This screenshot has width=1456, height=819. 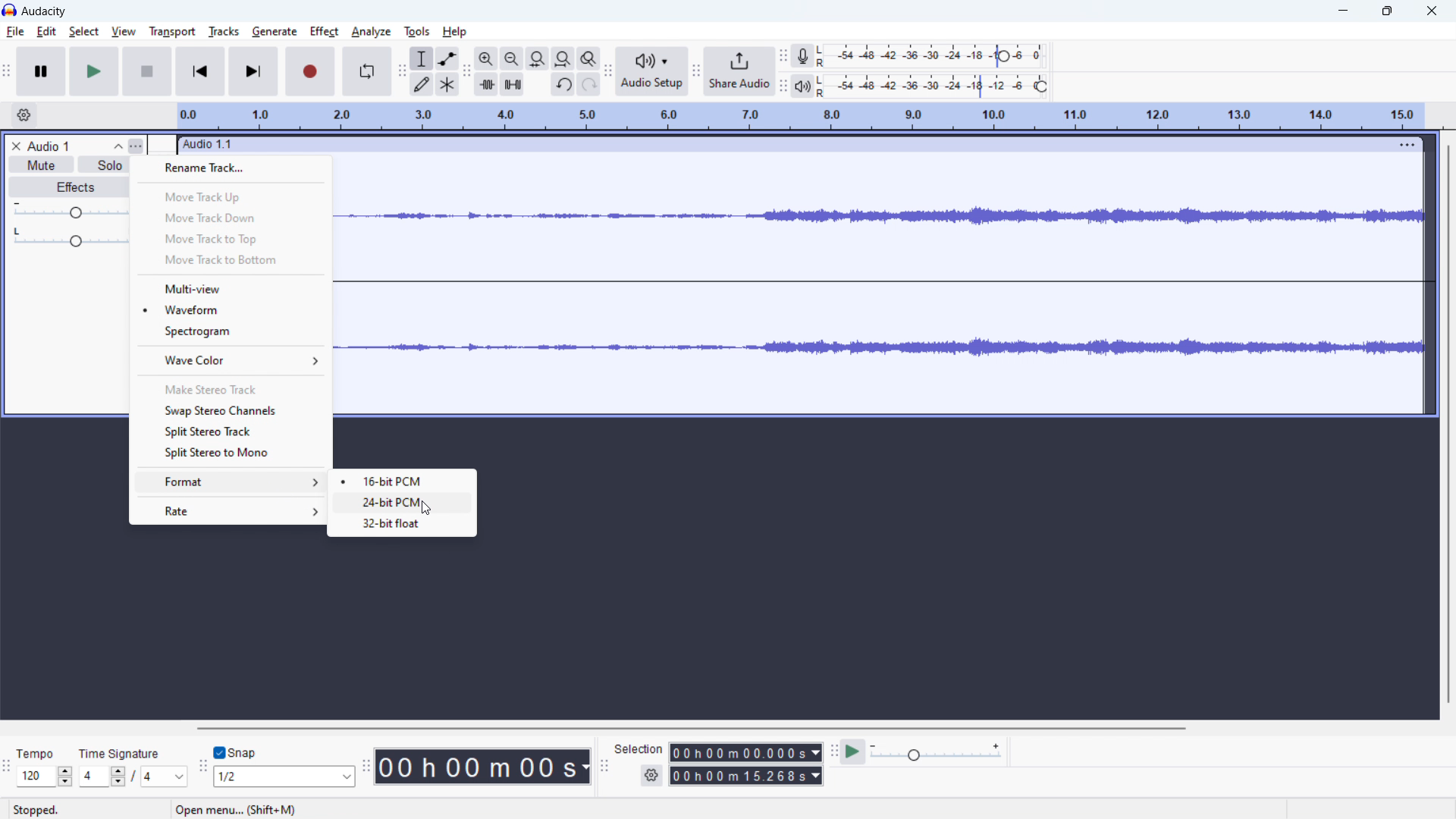 I want to click on edit toolbar, so click(x=466, y=71).